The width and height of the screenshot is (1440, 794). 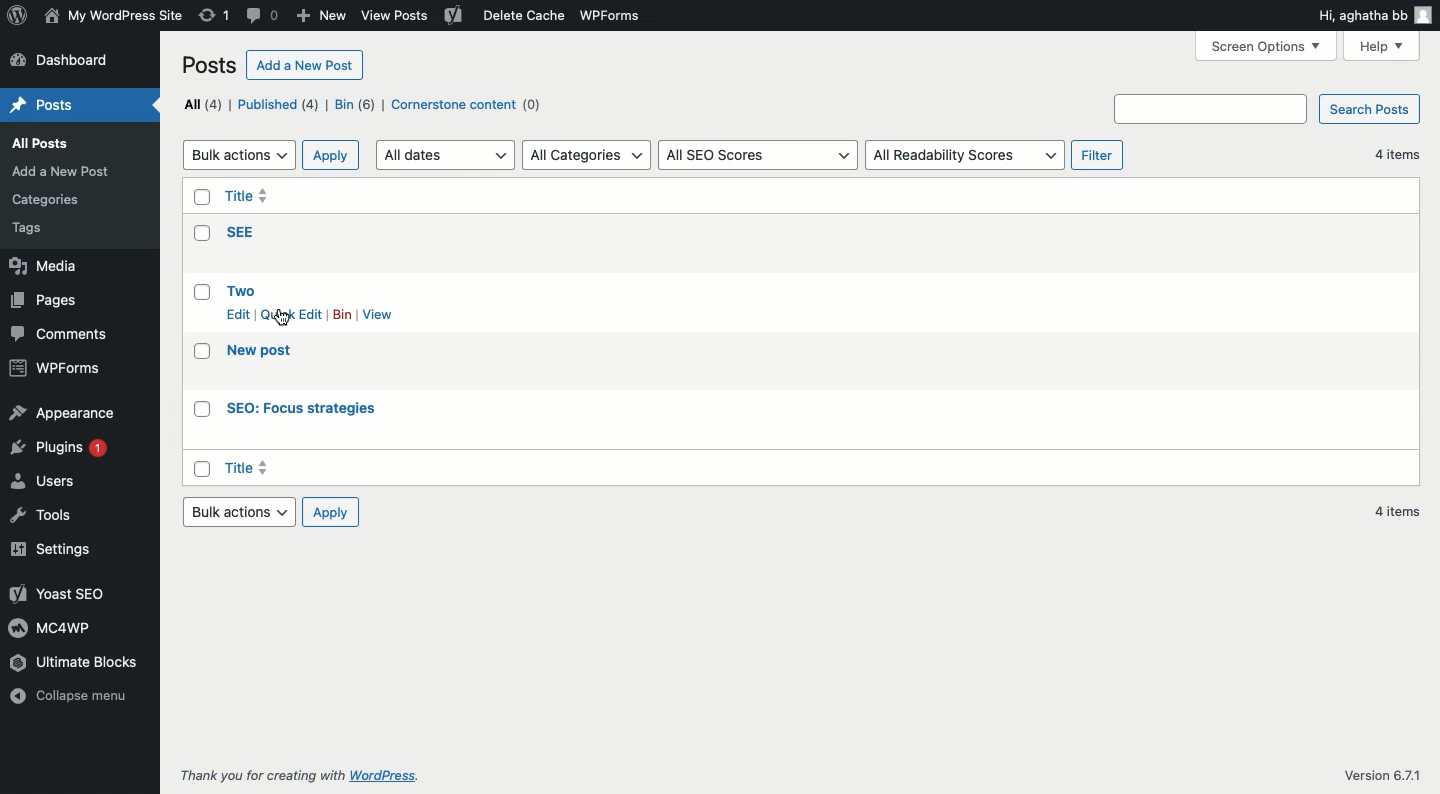 What do you see at coordinates (454, 17) in the screenshot?
I see `Yoast` at bounding box center [454, 17].